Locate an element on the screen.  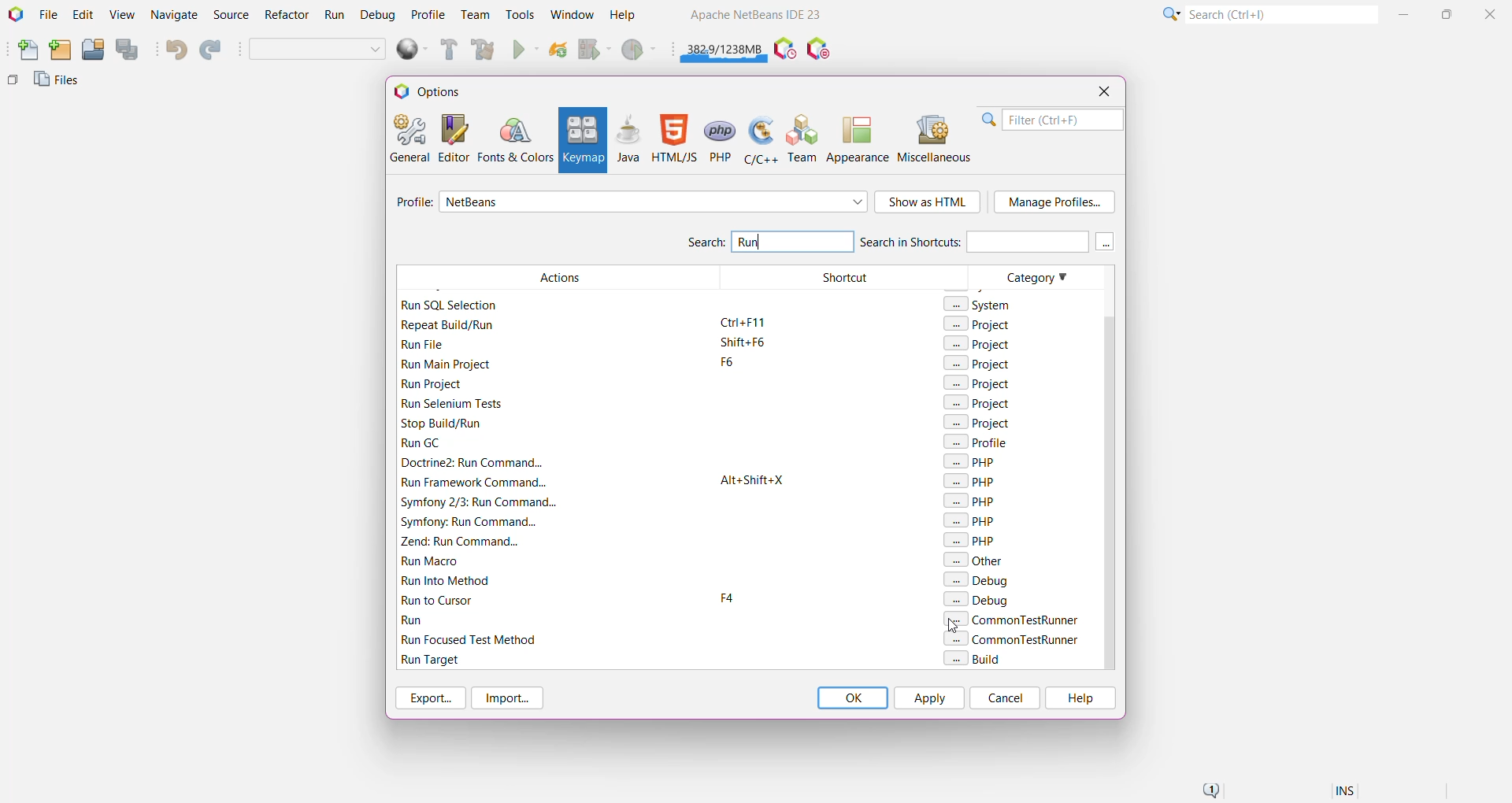
Open Project is located at coordinates (92, 50).